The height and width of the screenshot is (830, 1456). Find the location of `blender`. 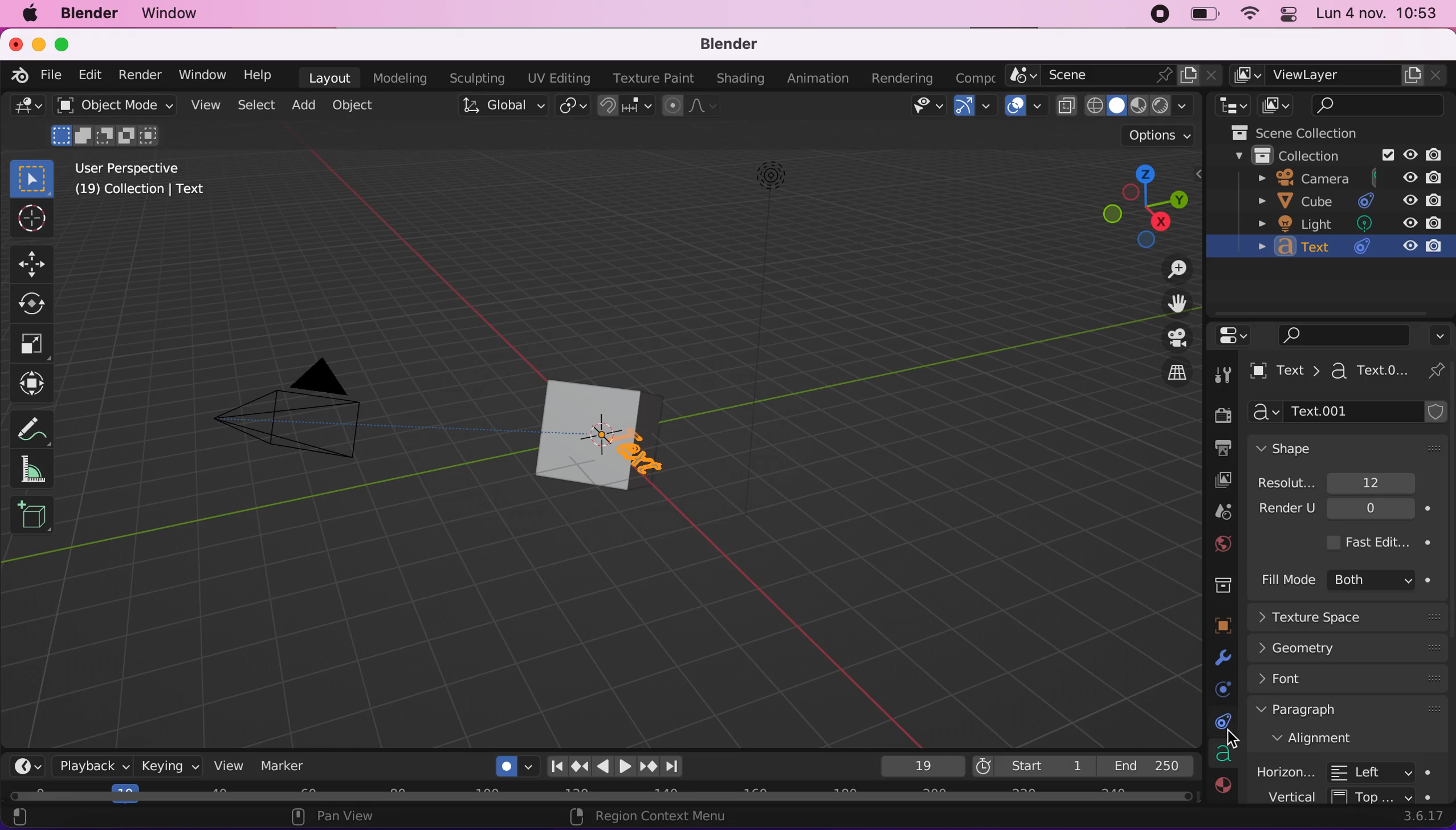

blender is located at coordinates (740, 44).